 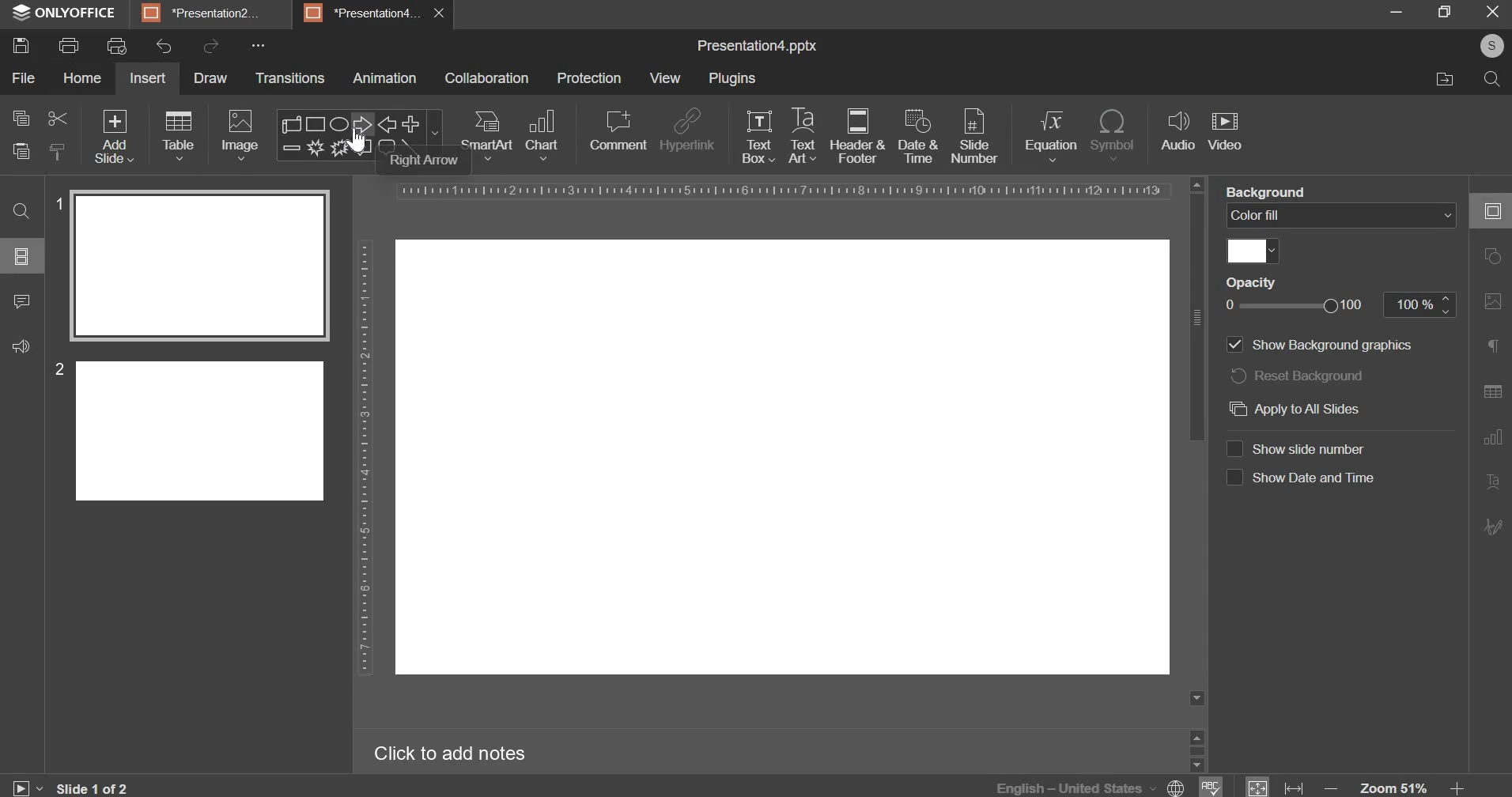 What do you see at coordinates (23, 308) in the screenshot?
I see `comment` at bounding box center [23, 308].